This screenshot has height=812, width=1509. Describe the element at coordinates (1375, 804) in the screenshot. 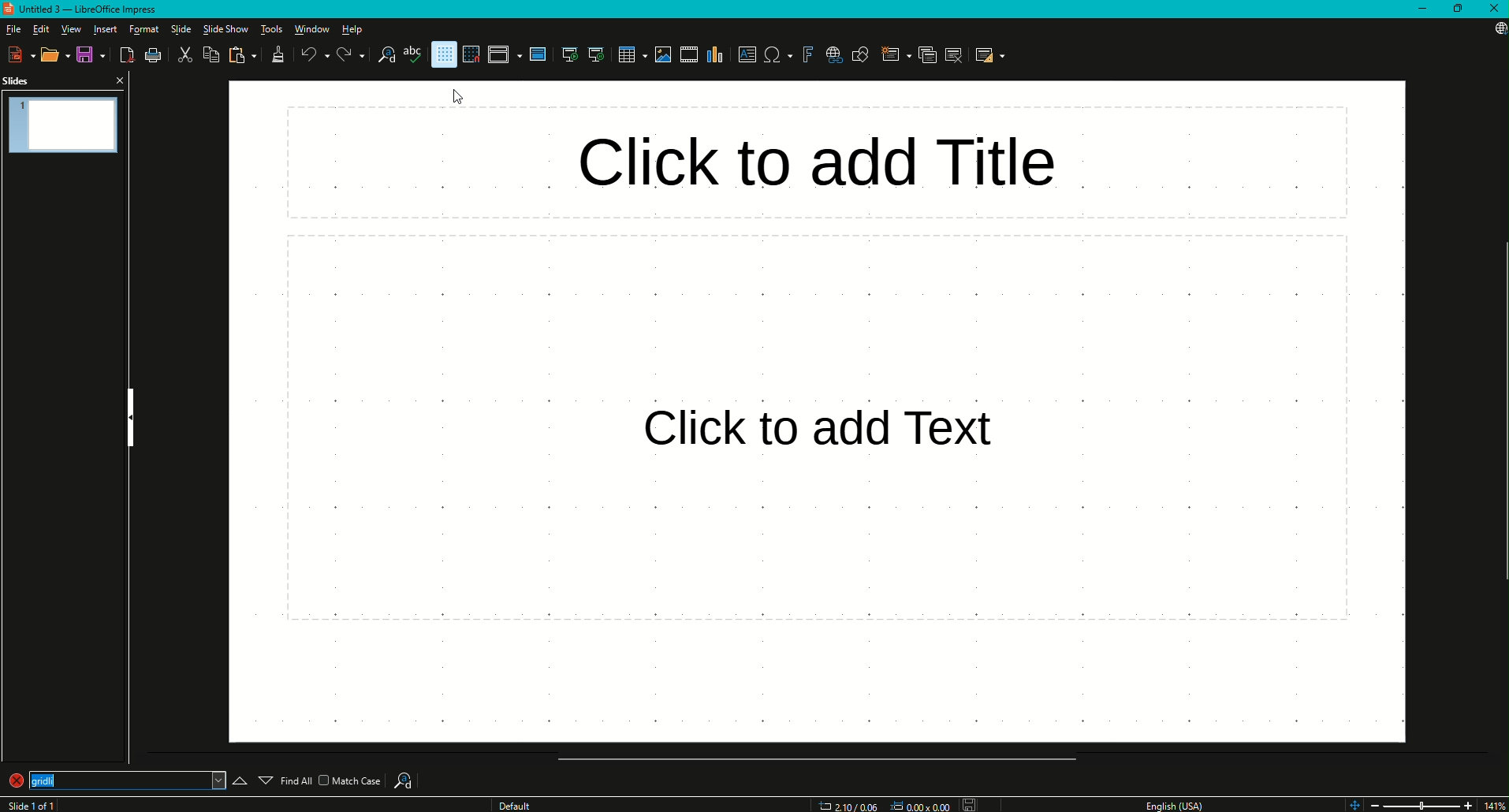

I see `Zoom Out` at that location.